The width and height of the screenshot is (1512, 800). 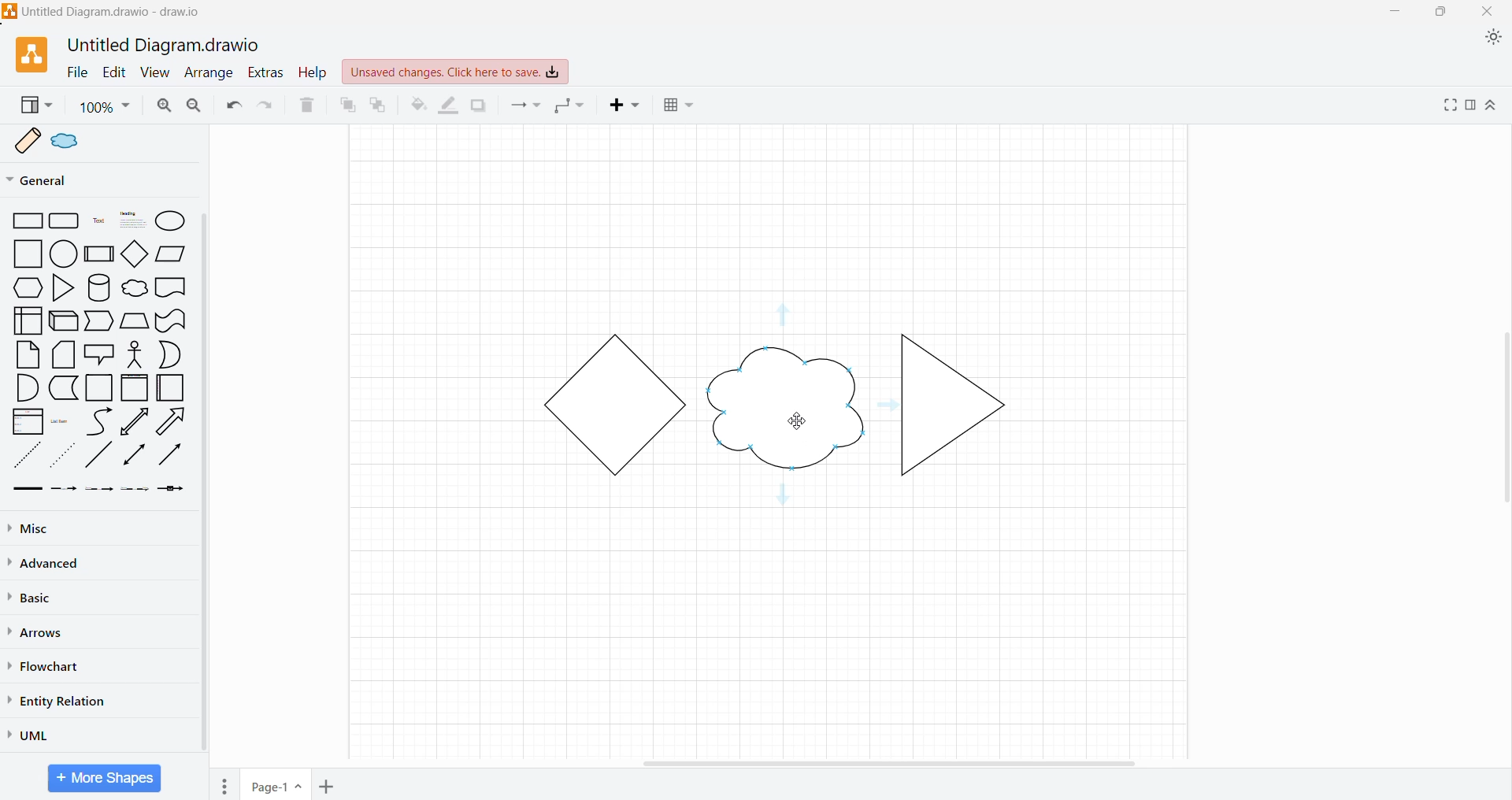 What do you see at coordinates (265, 74) in the screenshot?
I see `Extras` at bounding box center [265, 74].